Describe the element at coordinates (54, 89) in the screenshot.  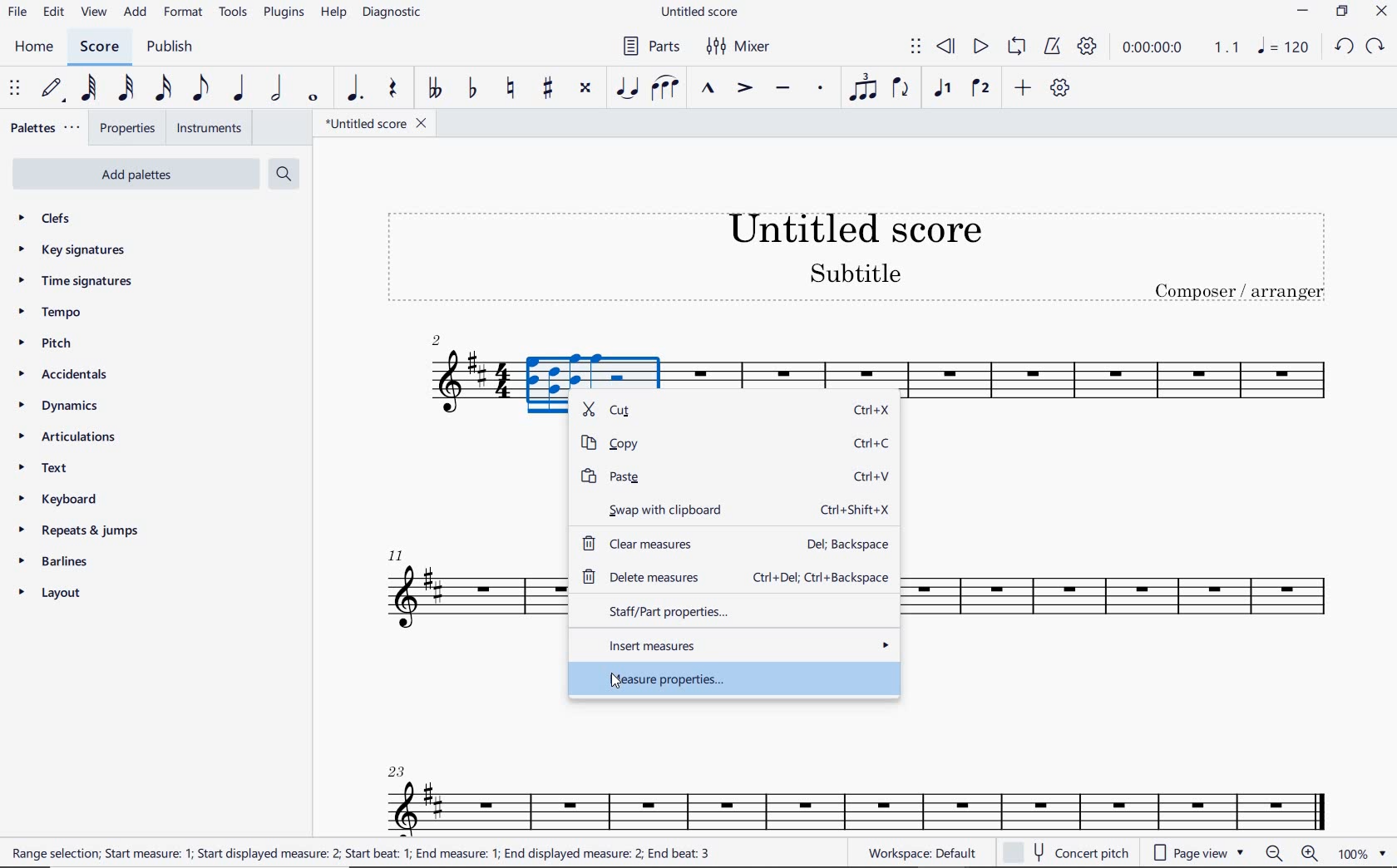
I see `DEFAULT (STEP TIME)` at that location.